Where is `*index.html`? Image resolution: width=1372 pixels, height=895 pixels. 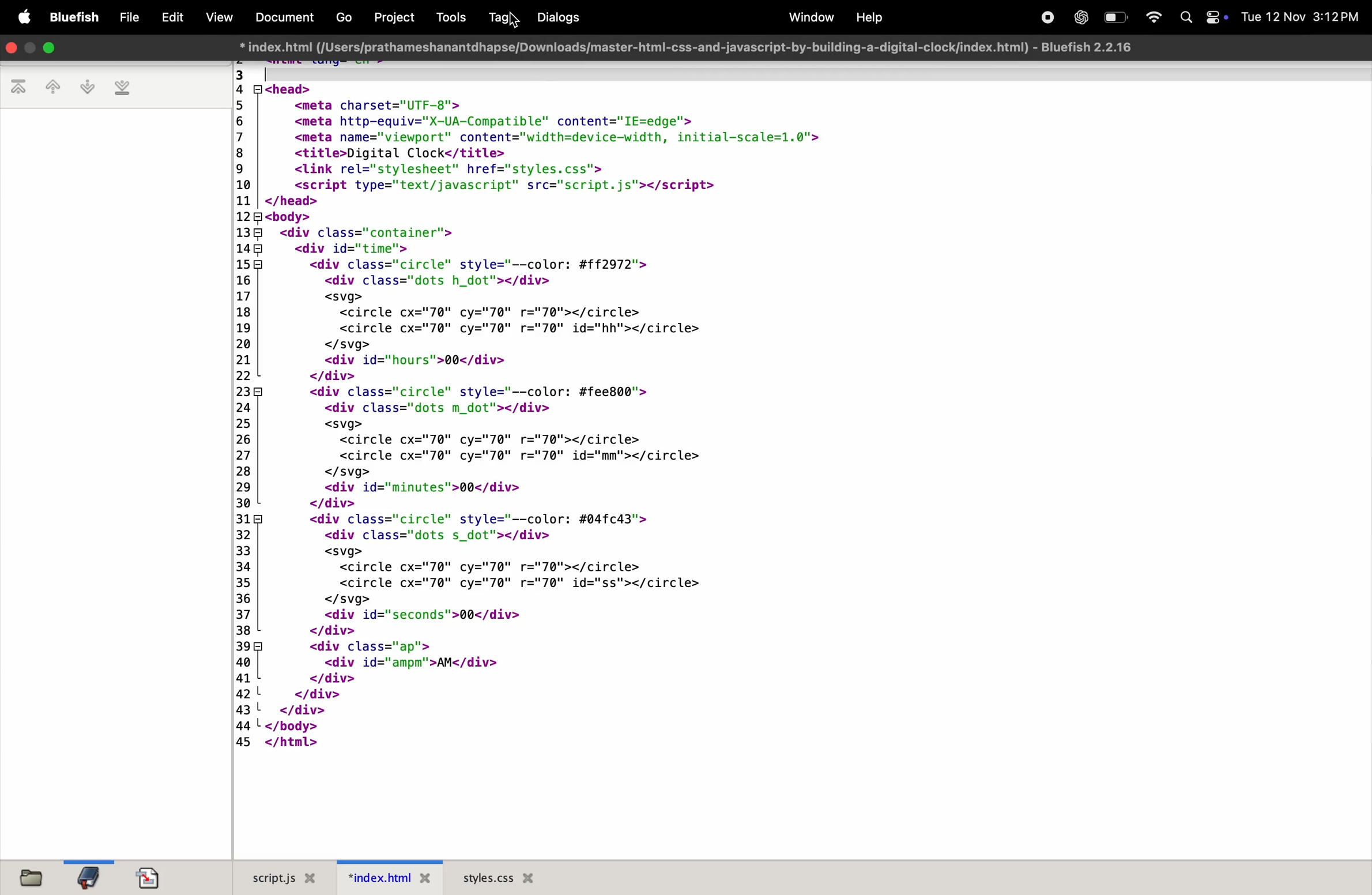
*index.html is located at coordinates (385, 877).